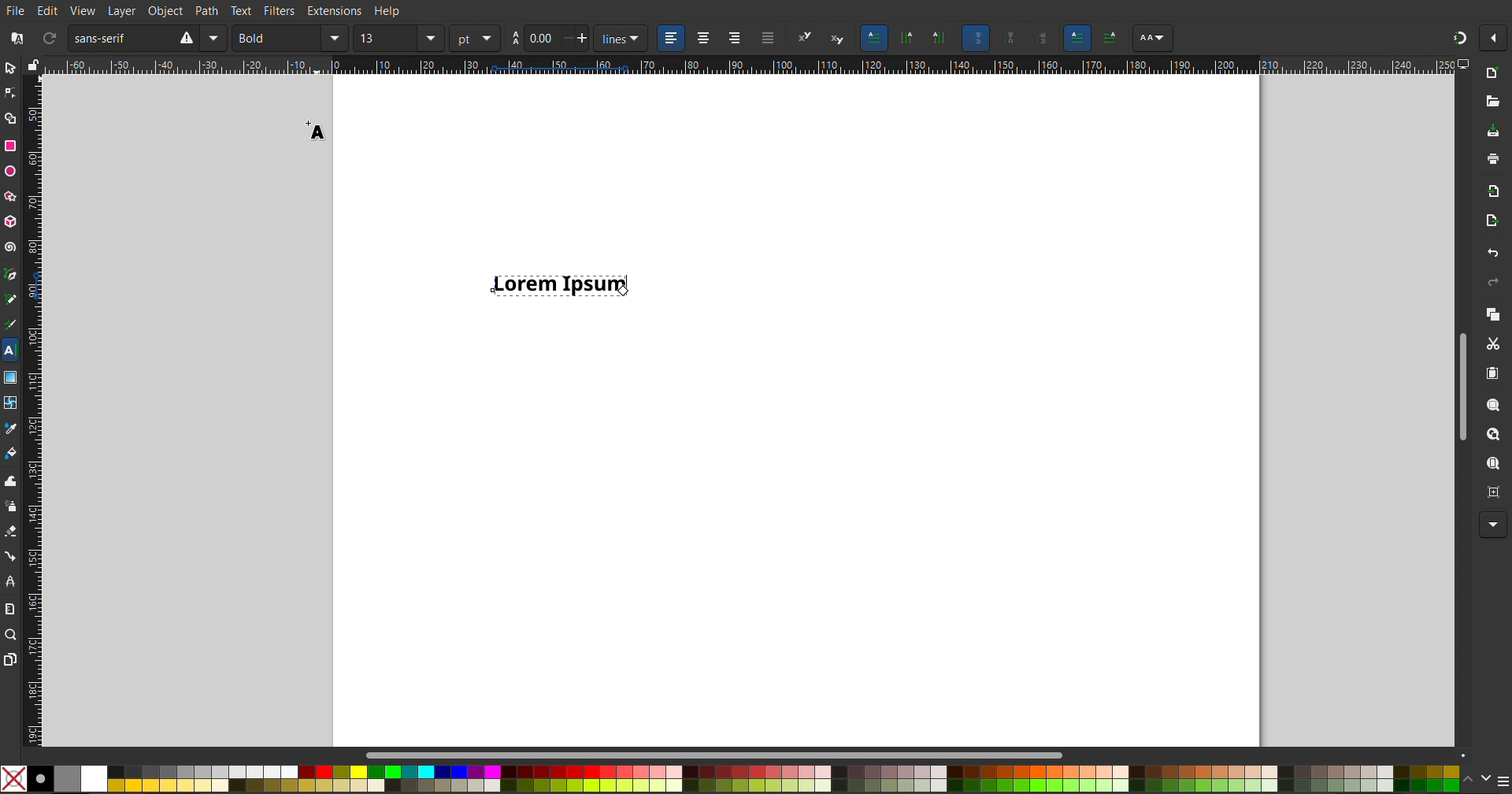 This screenshot has width=1512, height=794. I want to click on Star Polygon, so click(13, 194).